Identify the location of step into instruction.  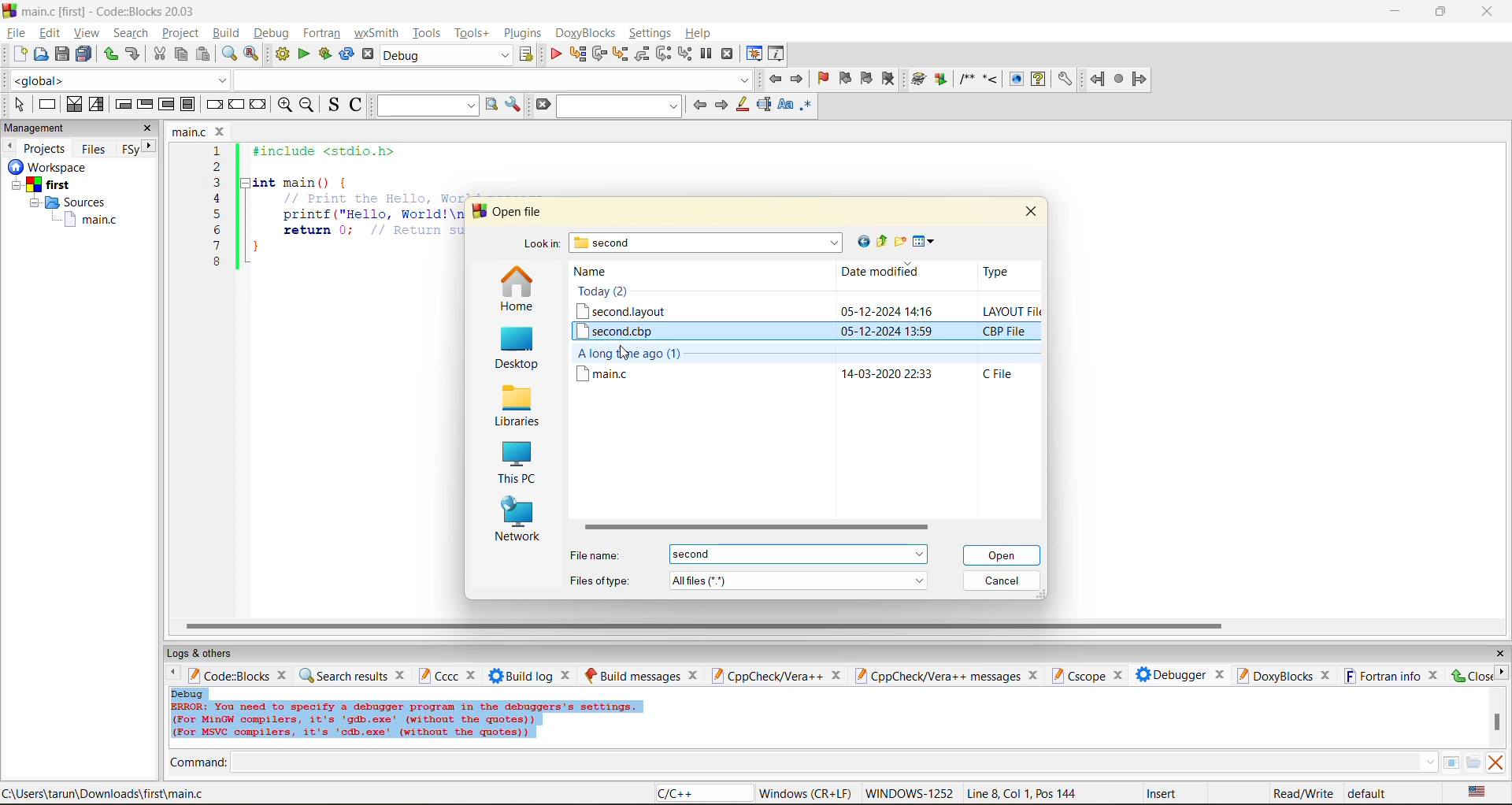
(684, 54).